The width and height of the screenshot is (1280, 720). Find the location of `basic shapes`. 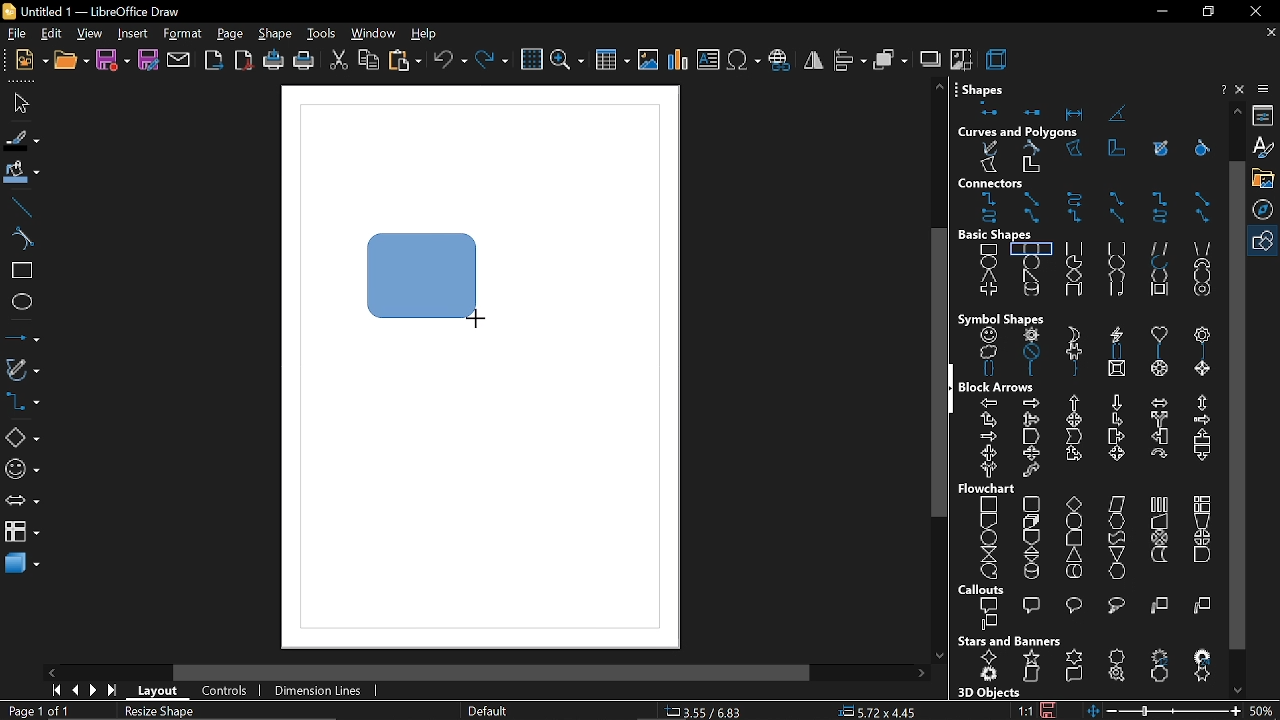

basic shapes is located at coordinates (21, 438).